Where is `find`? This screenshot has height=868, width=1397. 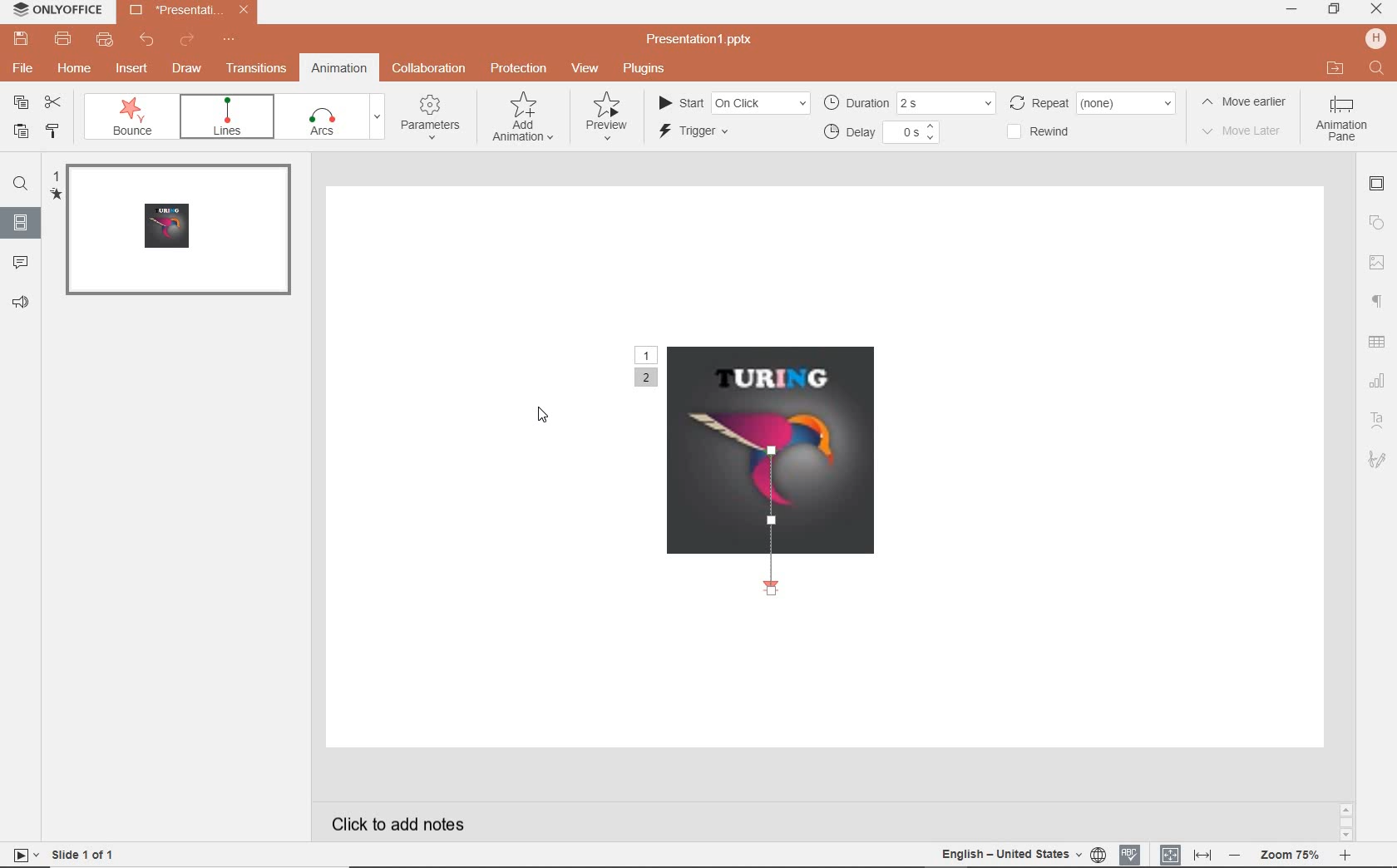
find is located at coordinates (22, 184).